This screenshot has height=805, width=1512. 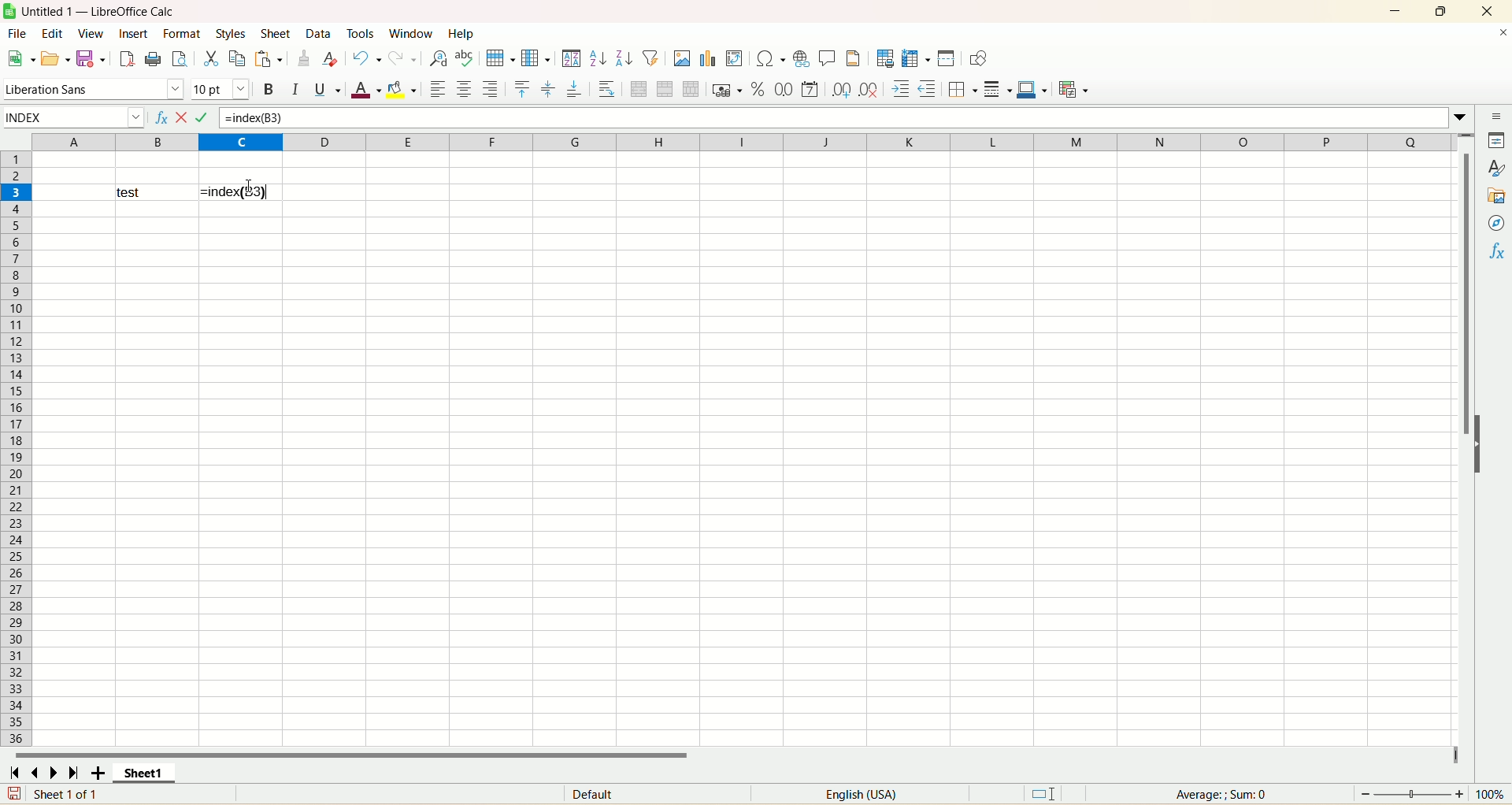 I want to click on Expand/Collapse, so click(x=1478, y=444).